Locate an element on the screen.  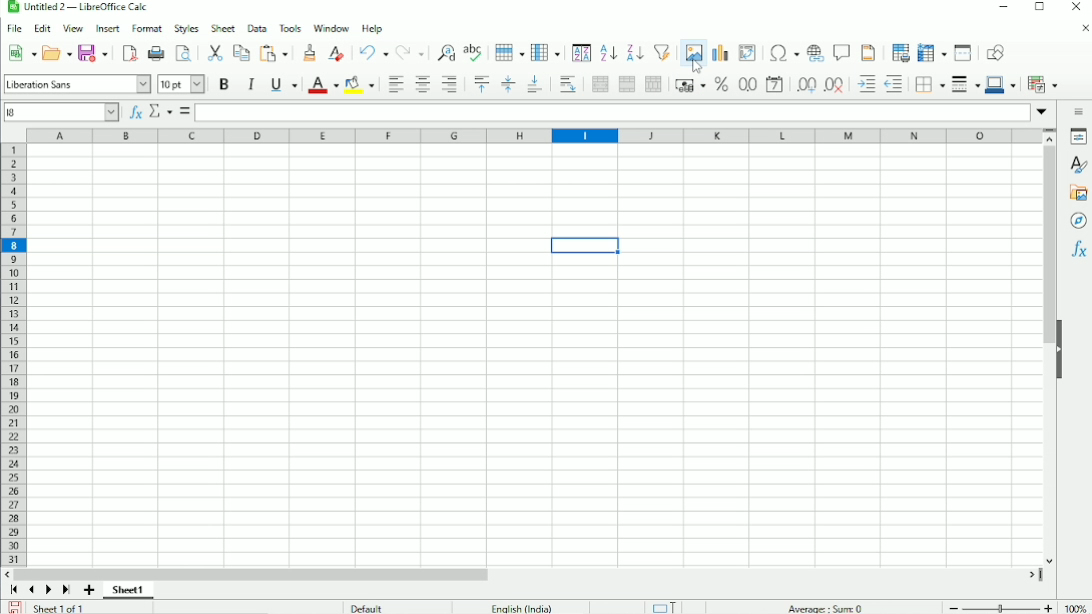
Open is located at coordinates (55, 52).